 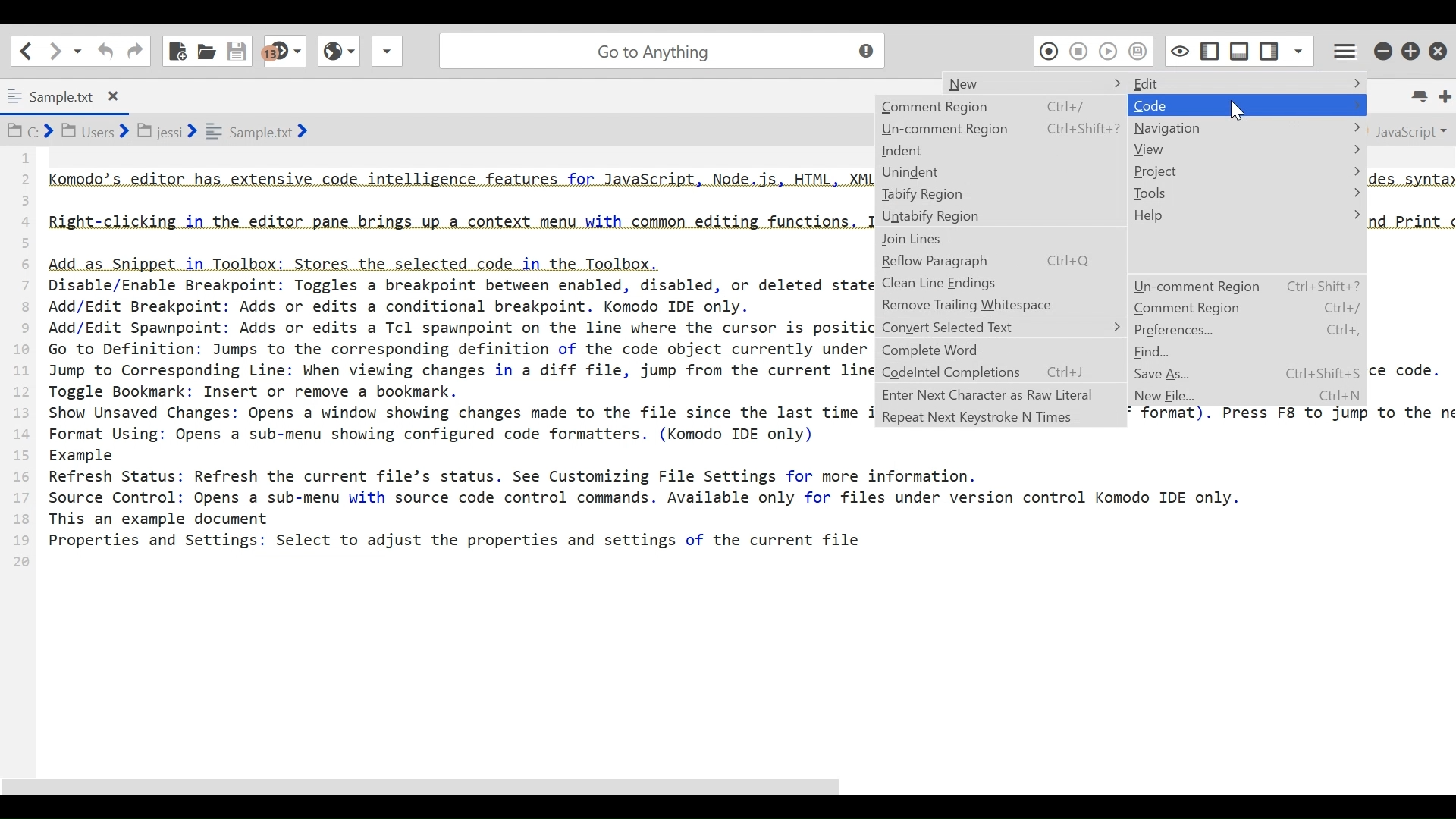 What do you see at coordinates (1246, 127) in the screenshot?
I see `Navigation` at bounding box center [1246, 127].